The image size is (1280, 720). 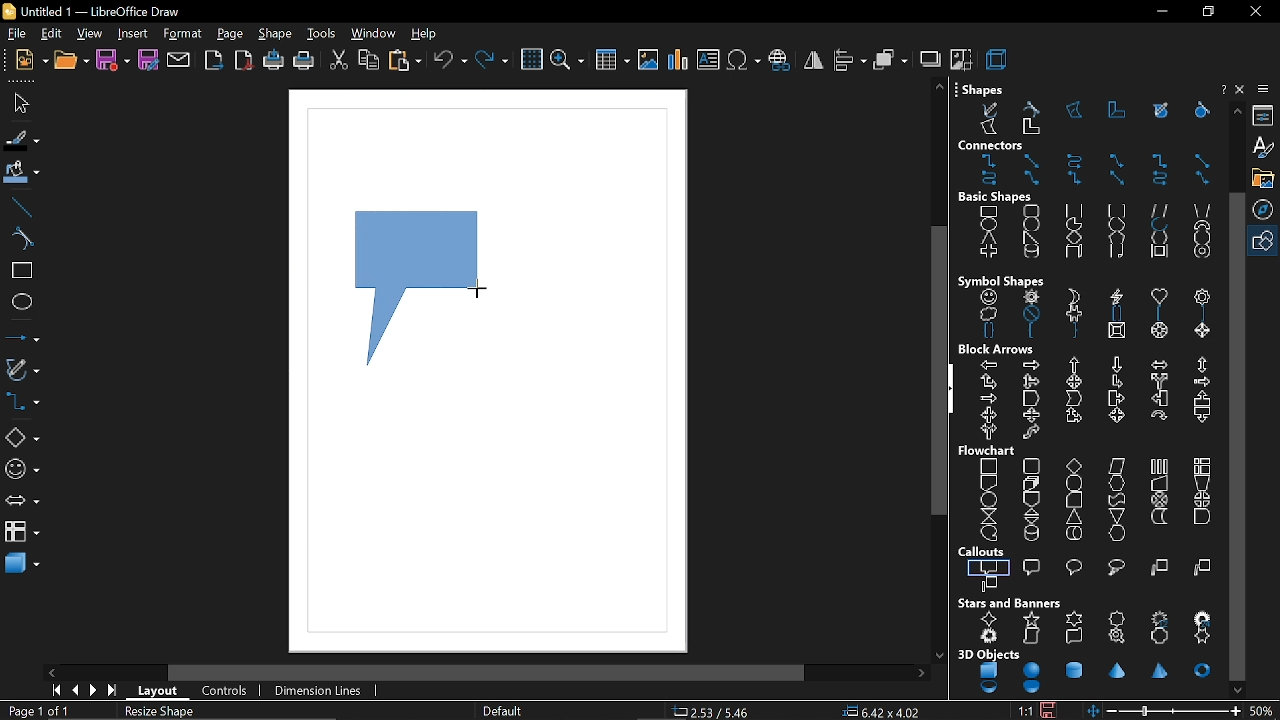 I want to click on change zoom, so click(x=1175, y=710).